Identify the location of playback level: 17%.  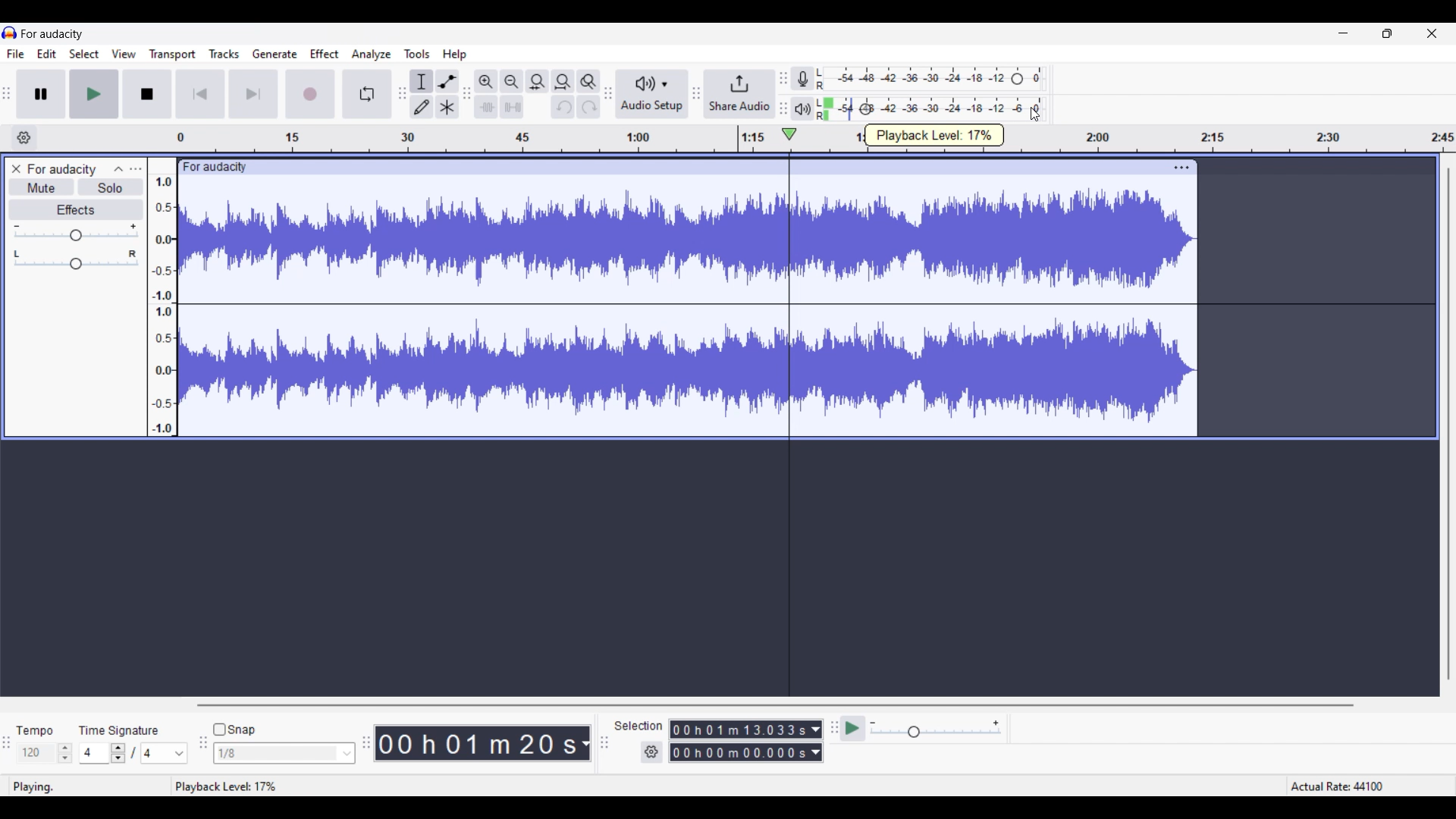
(227, 787).